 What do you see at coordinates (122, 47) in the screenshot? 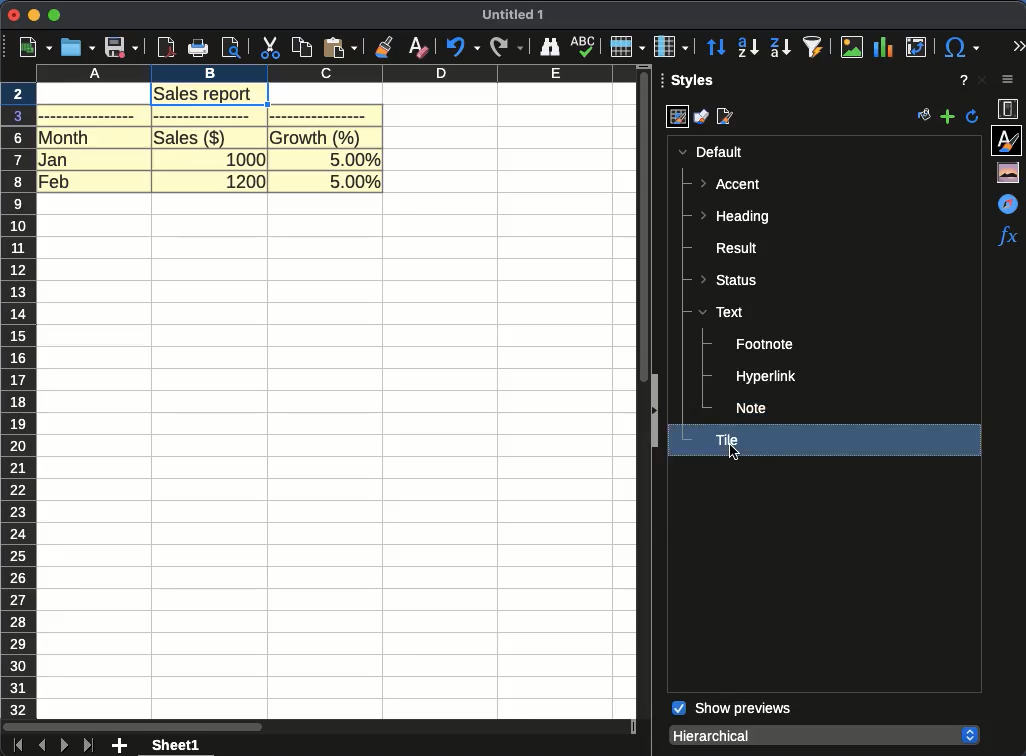
I see `save` at bounding box center [122, 47].